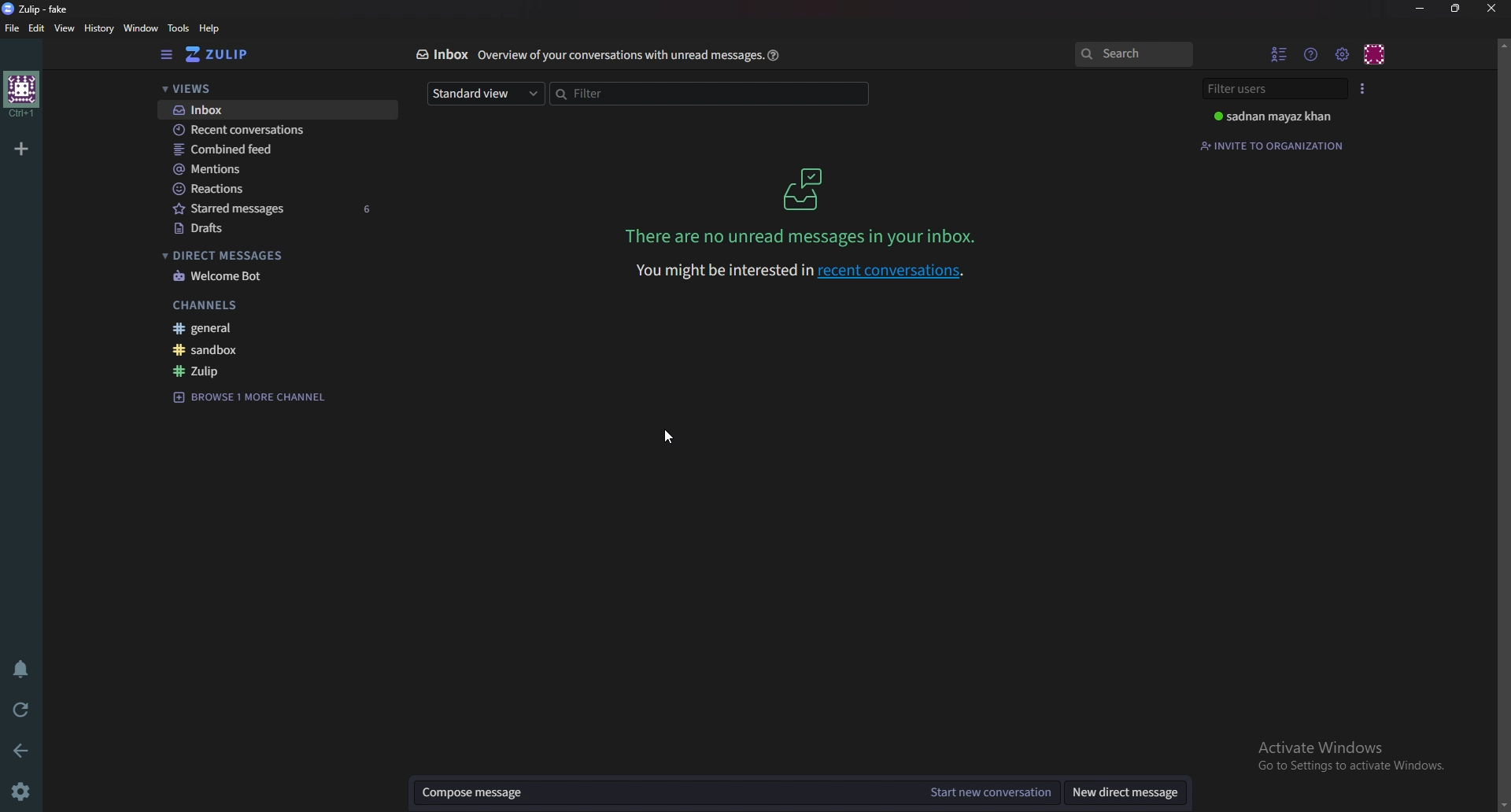 Image resolution: width=1511 pixels, height=812 pixels. I want to click on Hide user list, so click(1280, 53).